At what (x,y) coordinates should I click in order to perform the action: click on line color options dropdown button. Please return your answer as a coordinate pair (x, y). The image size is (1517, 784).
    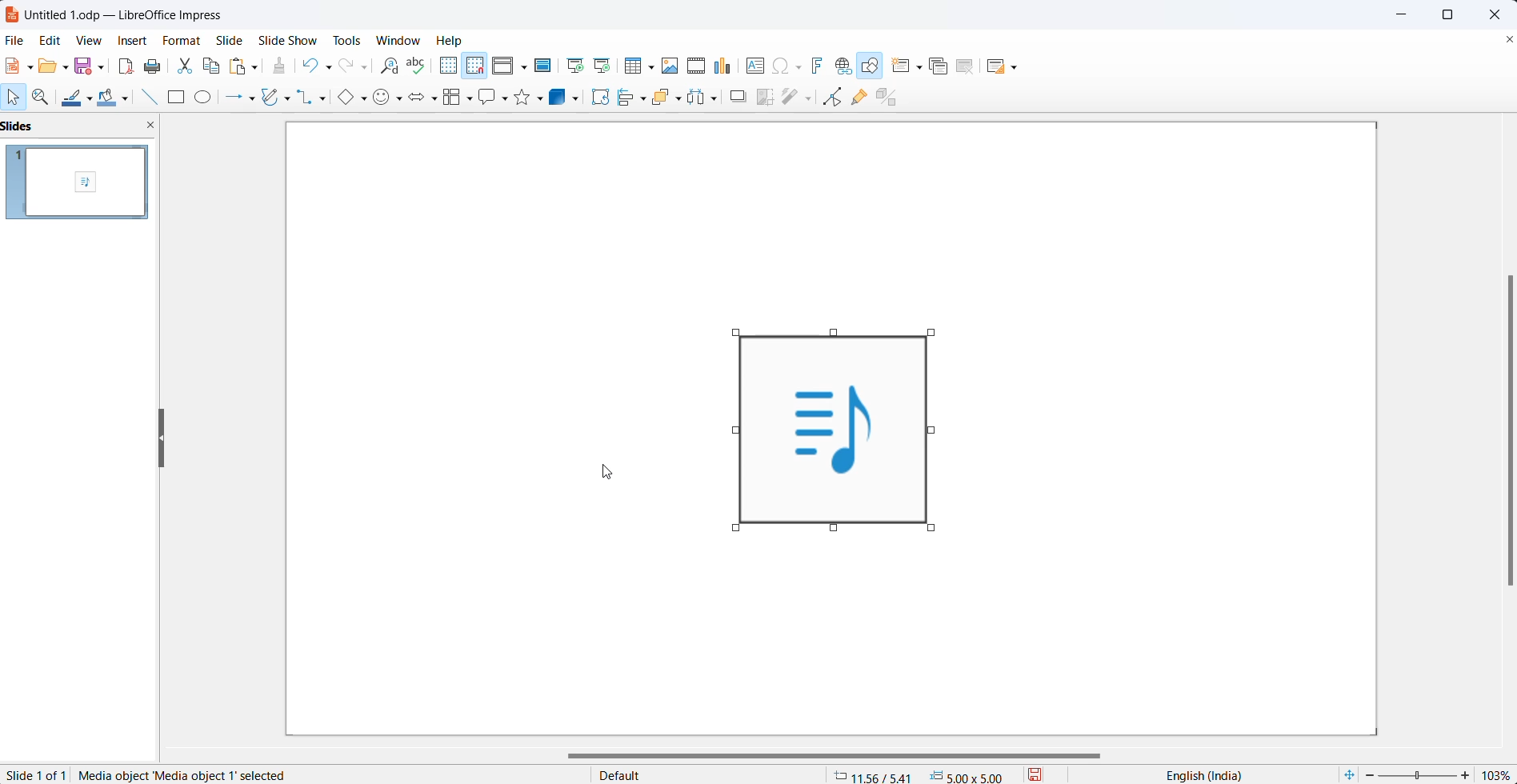
    Looking at the image, I should click on (94, 98).